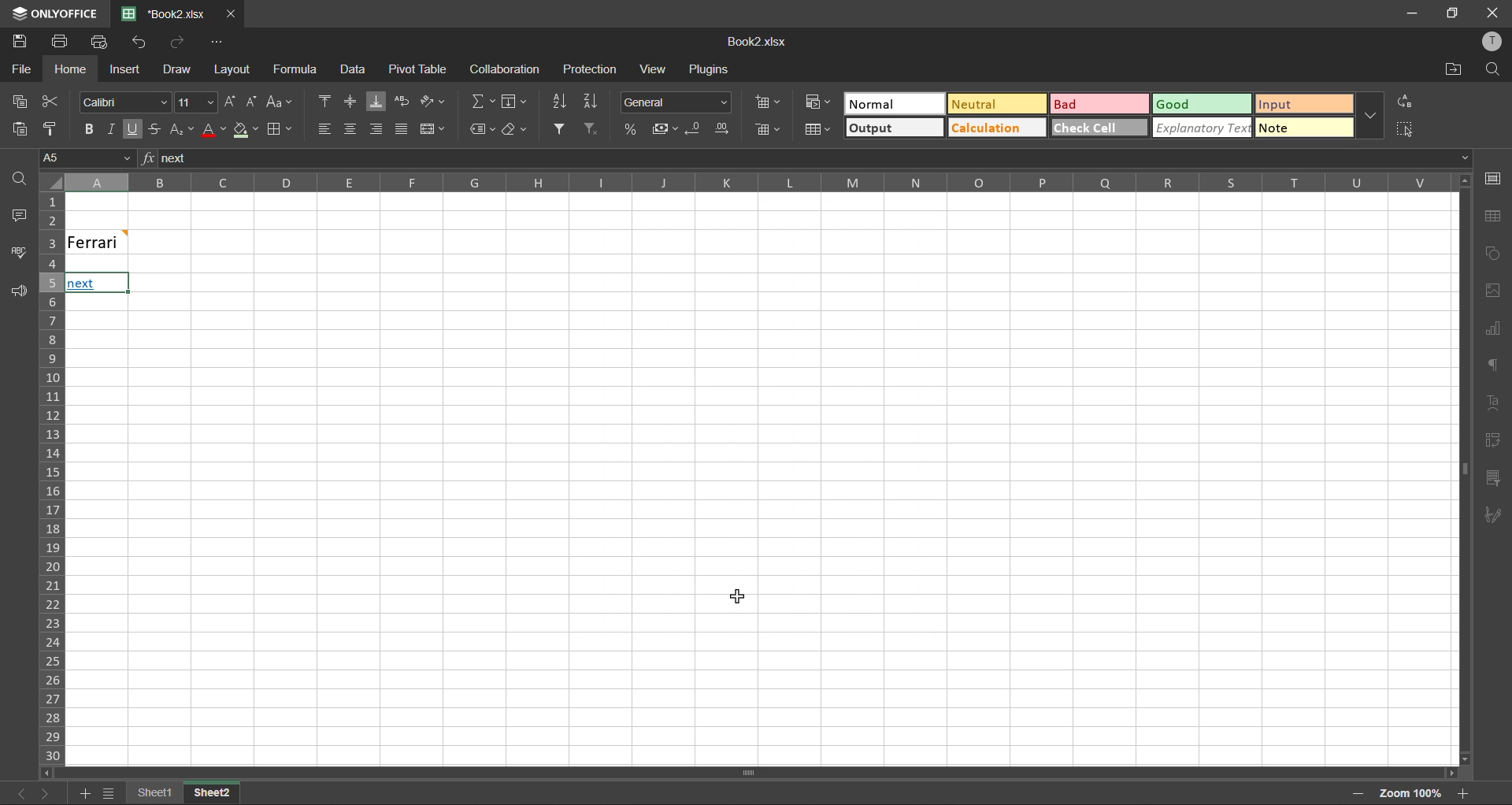 This screenshot has width=1512, height=805. What do you see at coordinates (87, 129) in the screenshot?
I see `bold` at bounding box center [87, 129].